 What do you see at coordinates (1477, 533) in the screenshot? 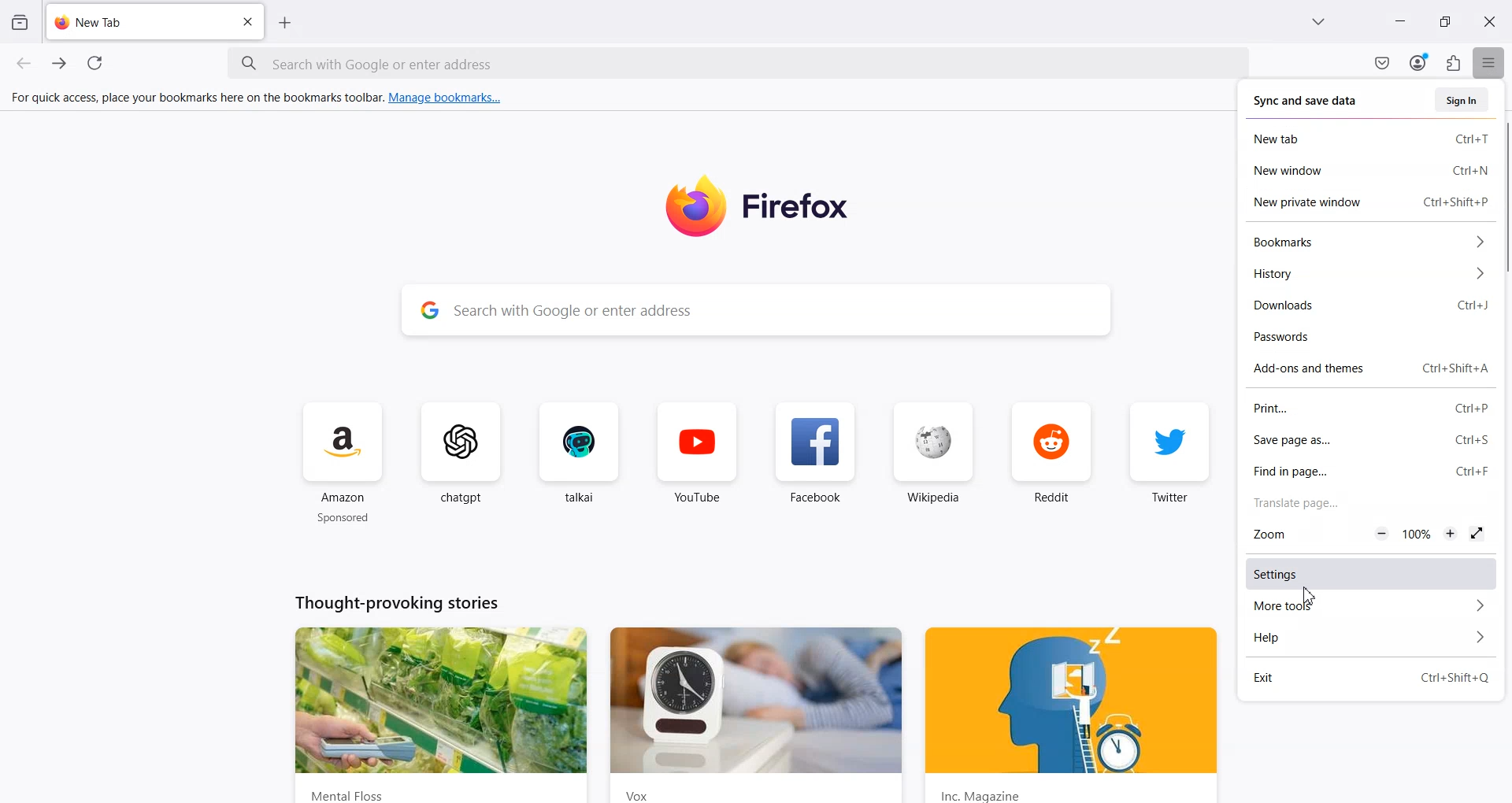
I see `FullScreen` at bounding box center [1477, 533].